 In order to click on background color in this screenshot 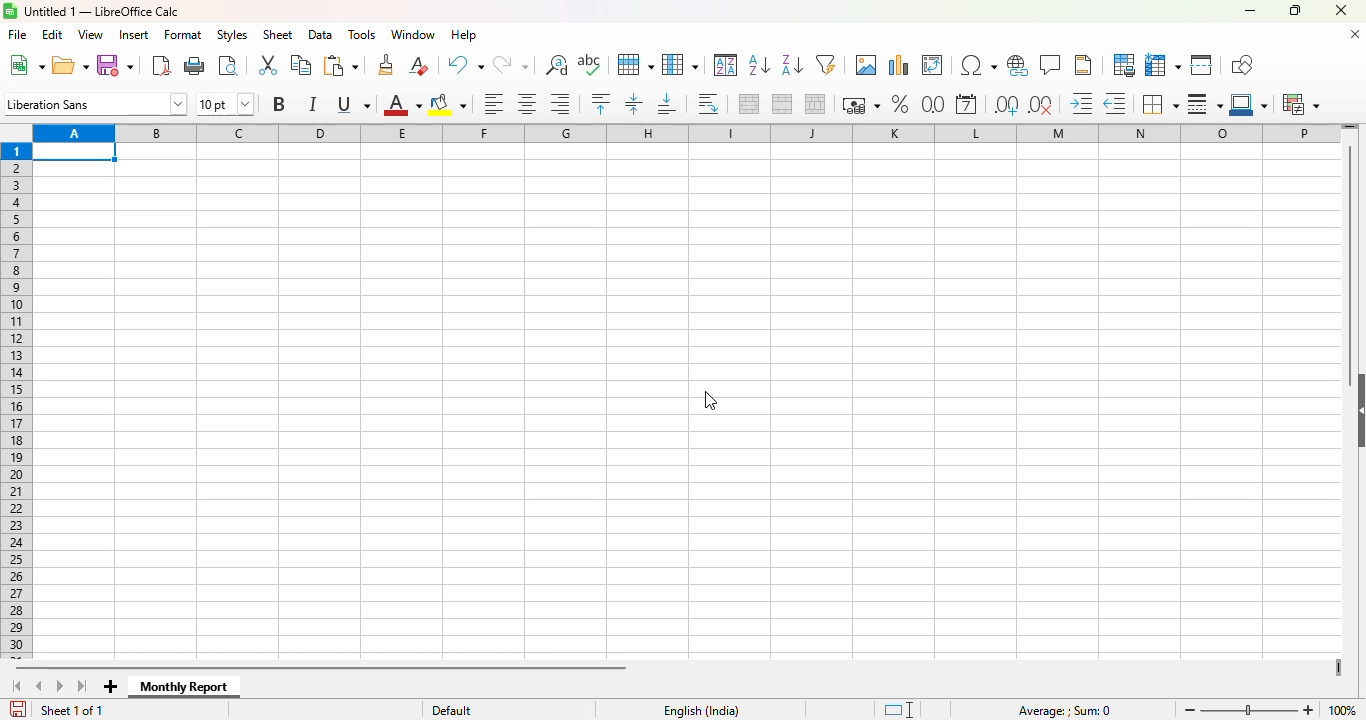, I will do `click(448, 104)`.